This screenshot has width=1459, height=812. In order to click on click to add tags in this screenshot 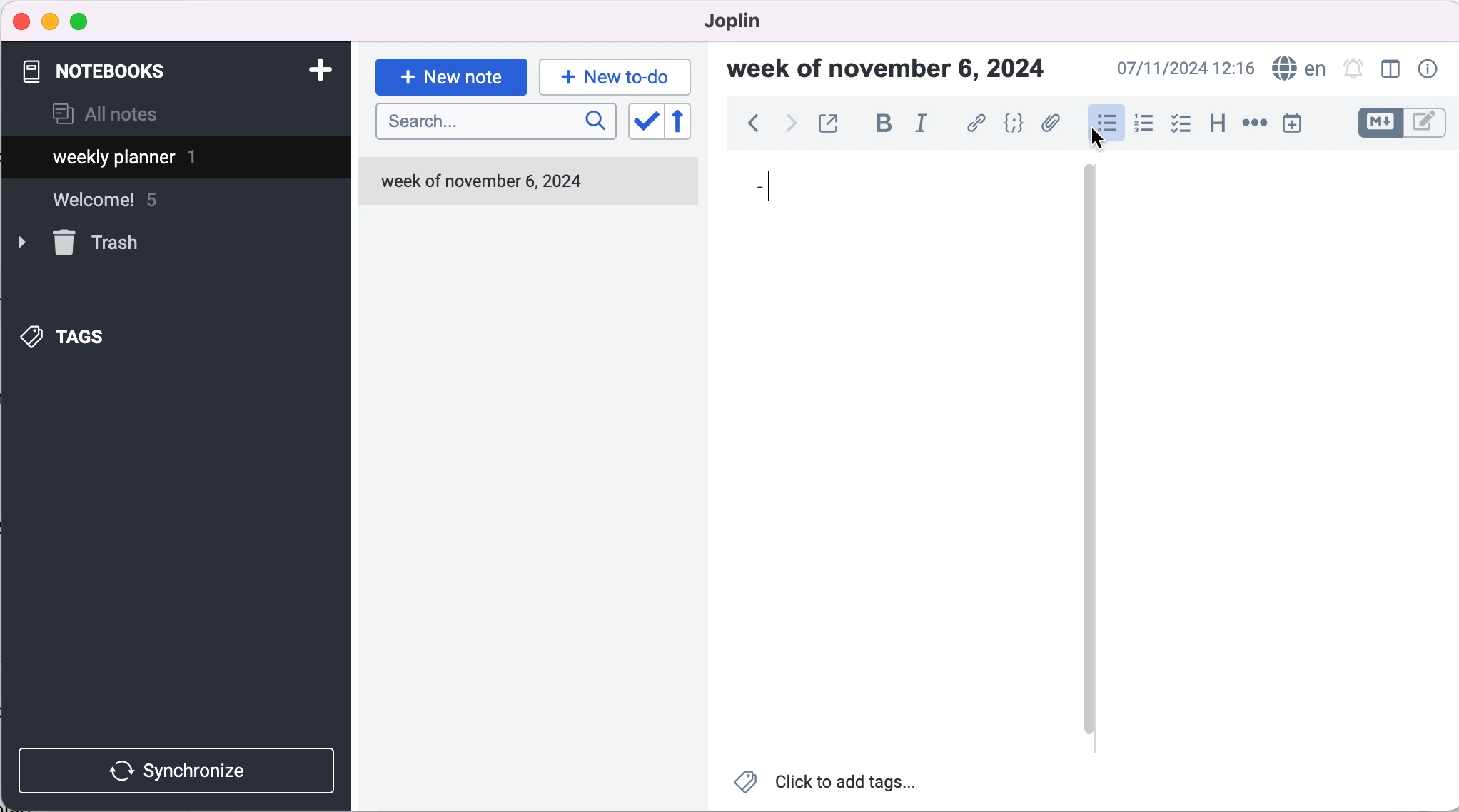, I will do `click(836, 785)`.